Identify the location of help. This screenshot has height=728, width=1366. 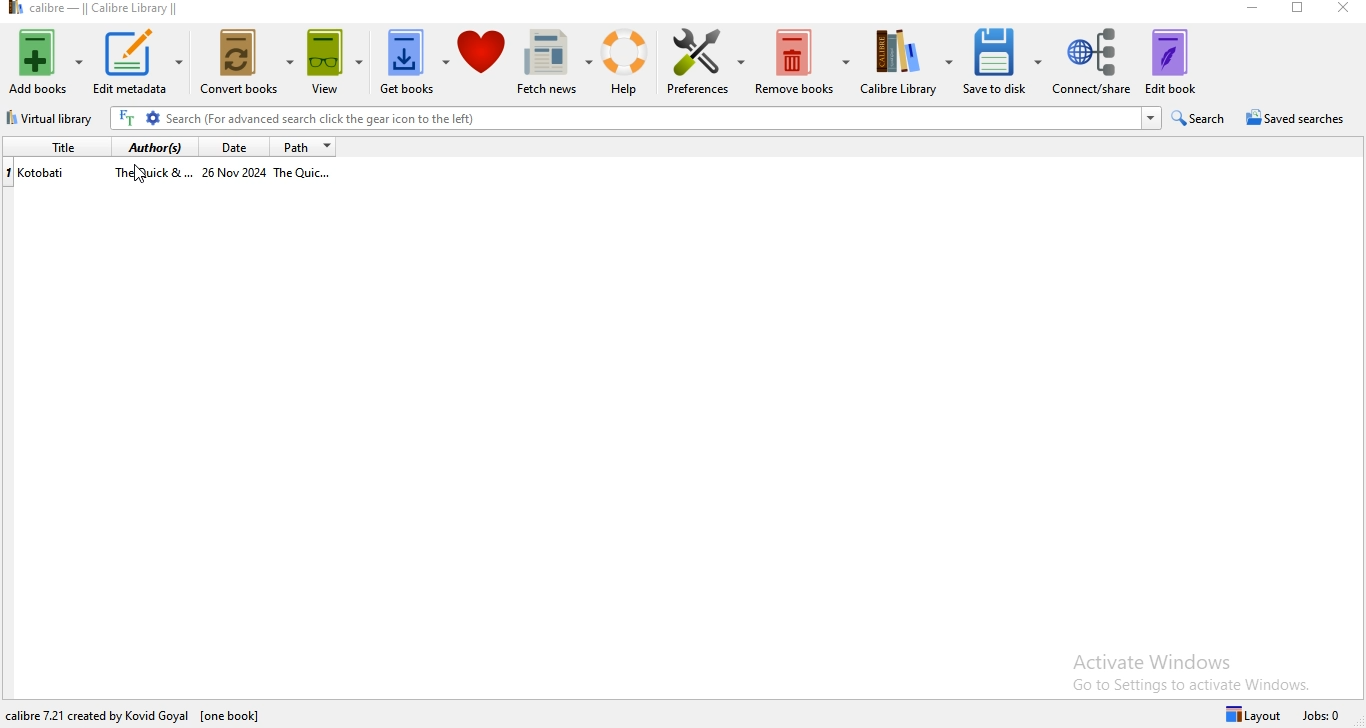
(621, 61).